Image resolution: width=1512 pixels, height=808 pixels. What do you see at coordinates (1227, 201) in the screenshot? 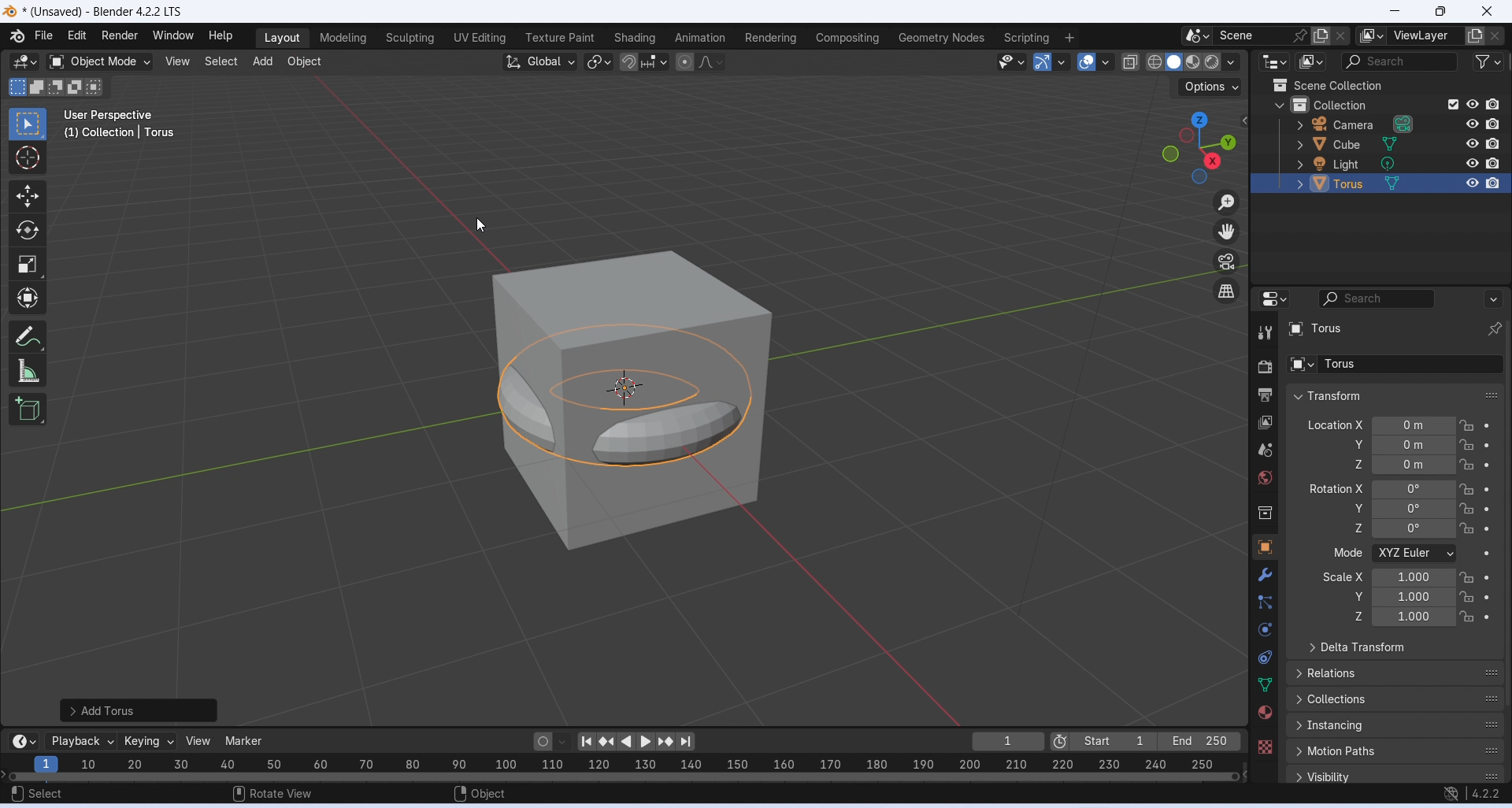
I see `Zoom in/out` at bounding box center [1227, 201].